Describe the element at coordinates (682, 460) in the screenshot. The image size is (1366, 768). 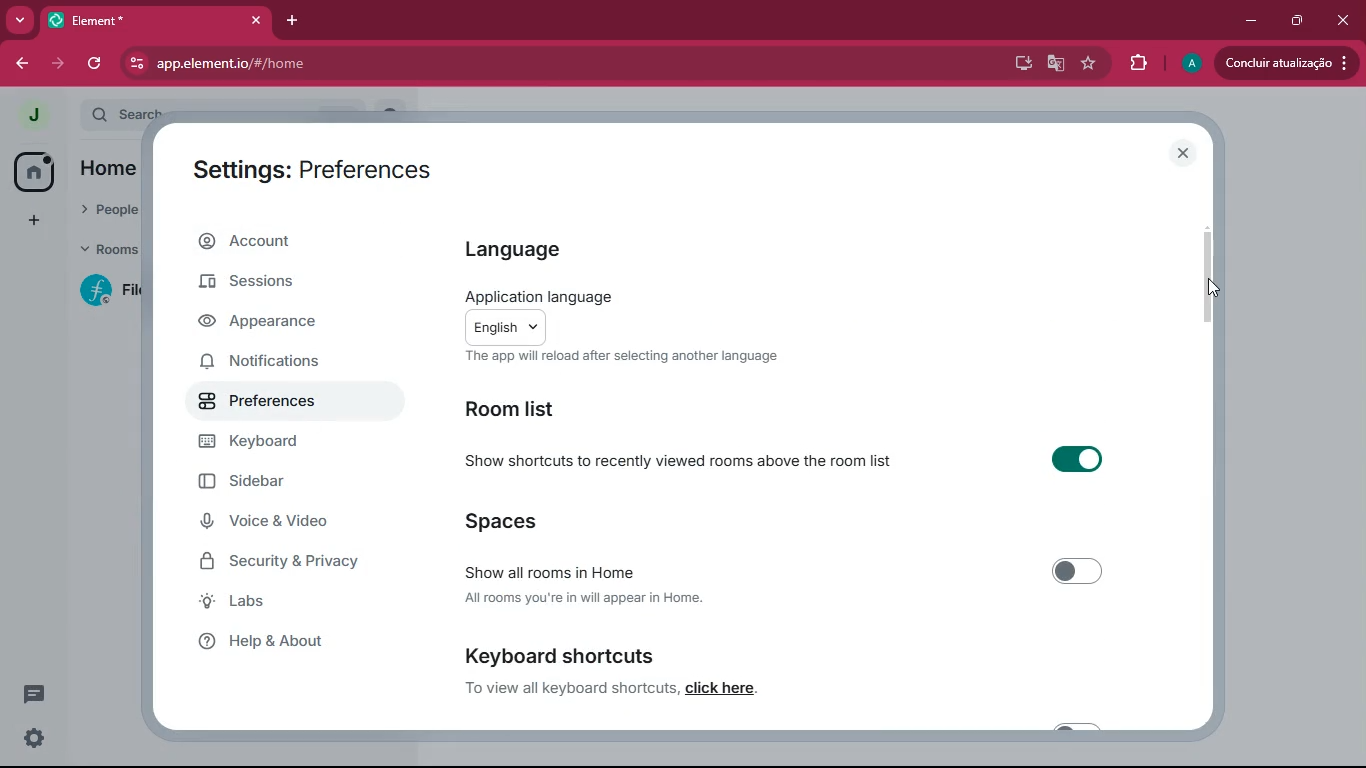
I see `show shortcuts to recently viewed rooms above the room list` at that location.